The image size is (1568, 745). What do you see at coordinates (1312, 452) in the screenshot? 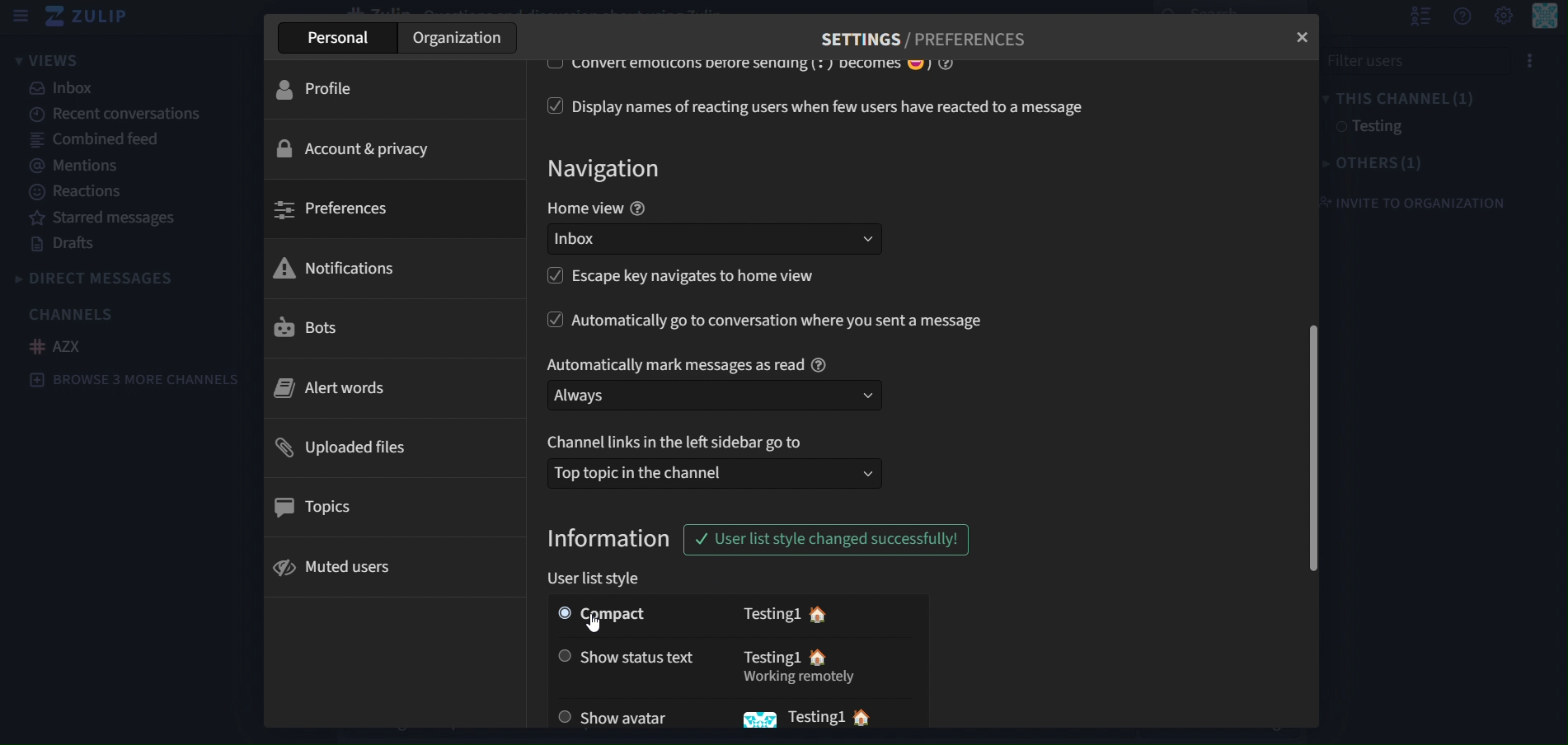
I see `vertical scrollbar` at bounding box center [1312, 452].